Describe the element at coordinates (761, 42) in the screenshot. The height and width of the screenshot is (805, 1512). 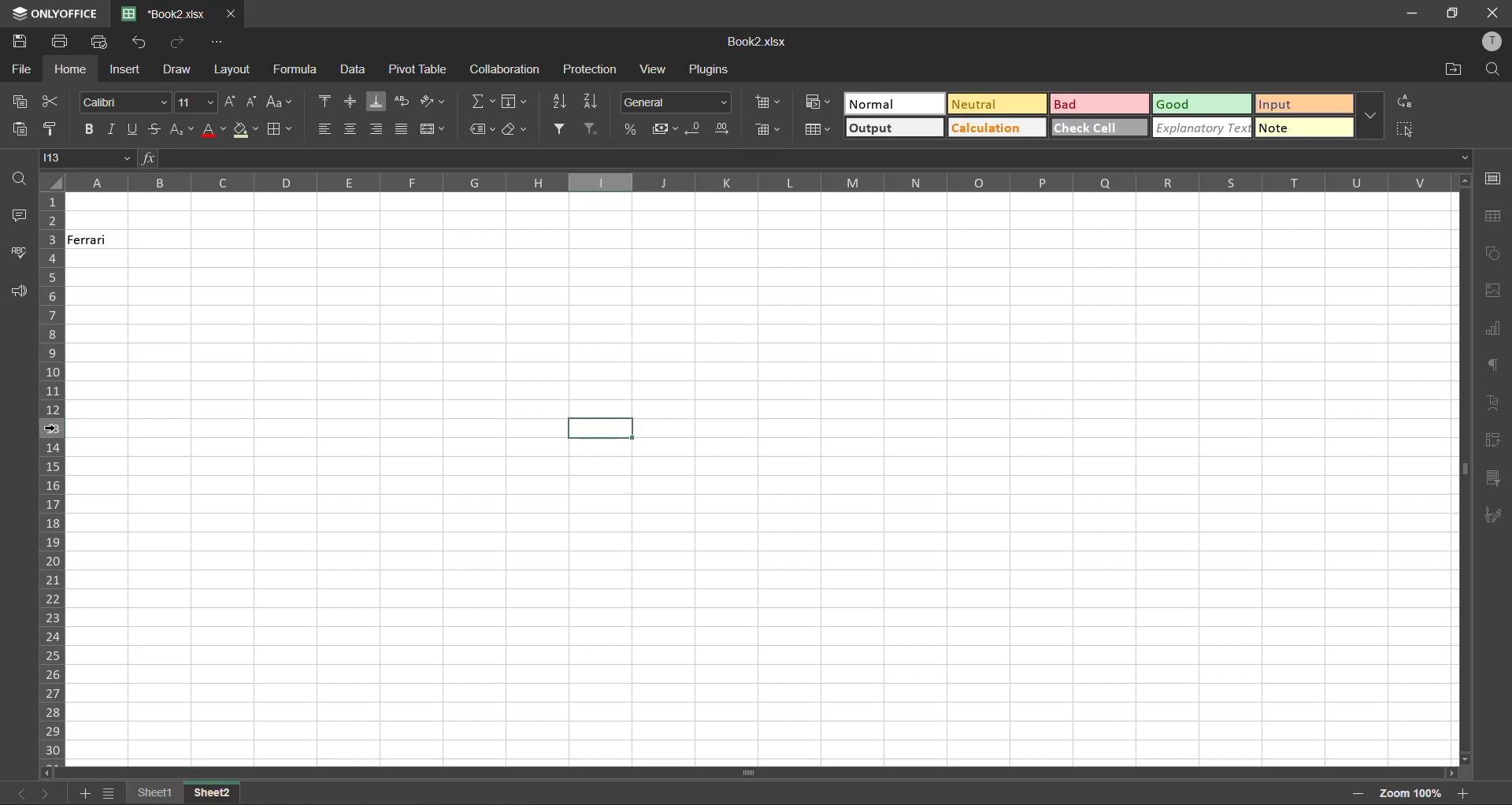
I see `filename` at that location.